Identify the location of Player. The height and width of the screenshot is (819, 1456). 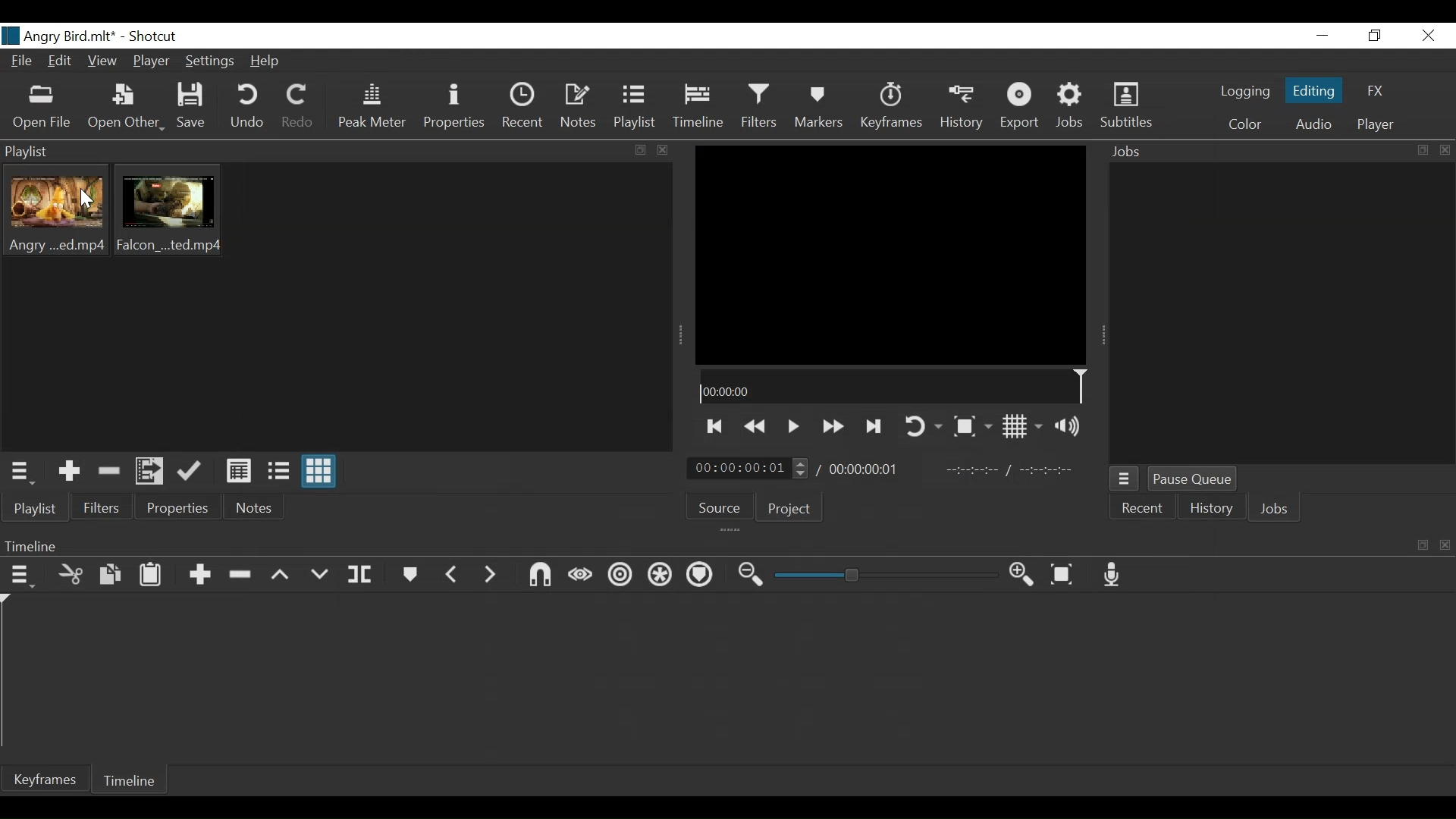
(152, 61).